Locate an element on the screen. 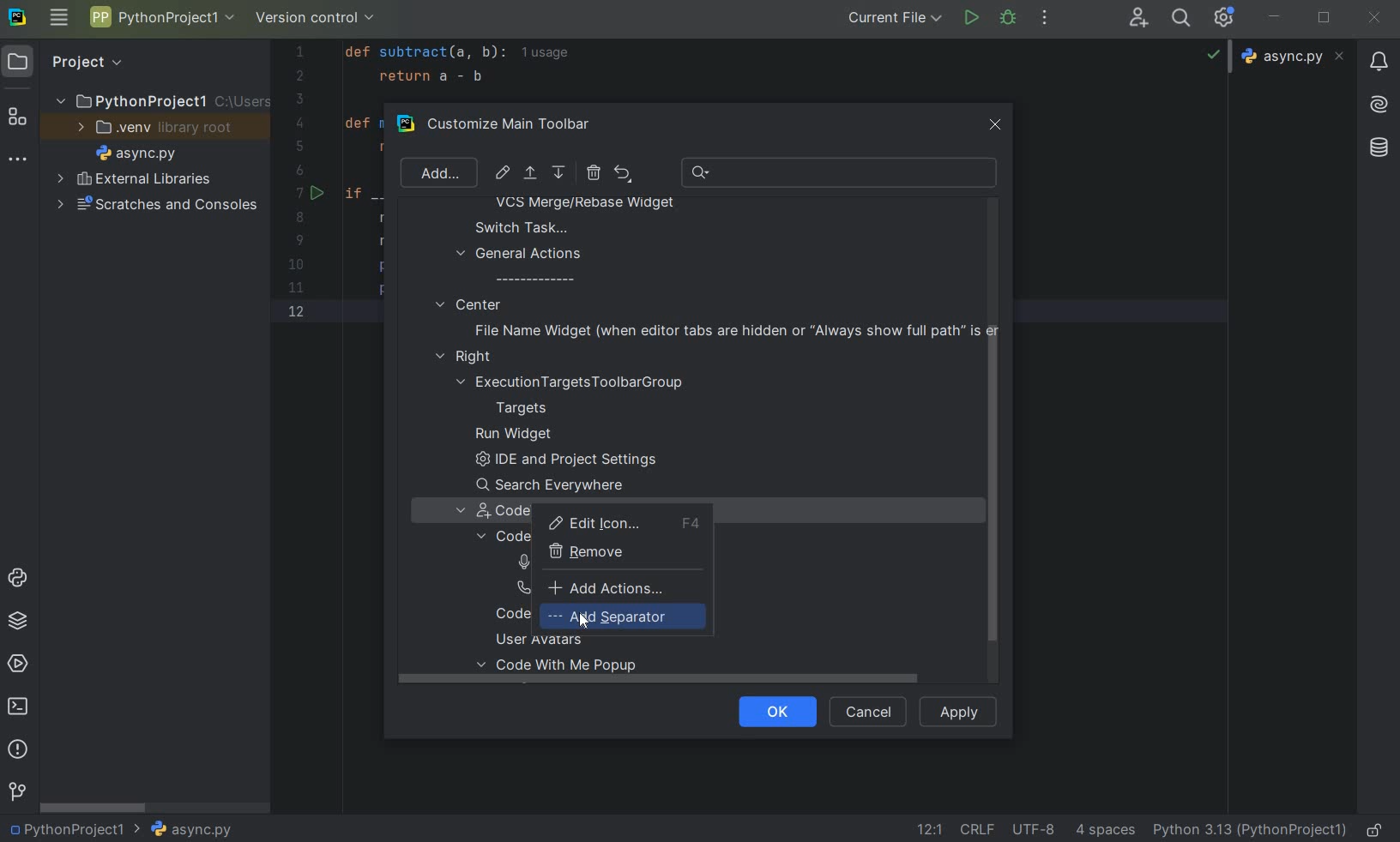 This screenshot has width=1400, height=842.  is located at coordinates (1379, 102).